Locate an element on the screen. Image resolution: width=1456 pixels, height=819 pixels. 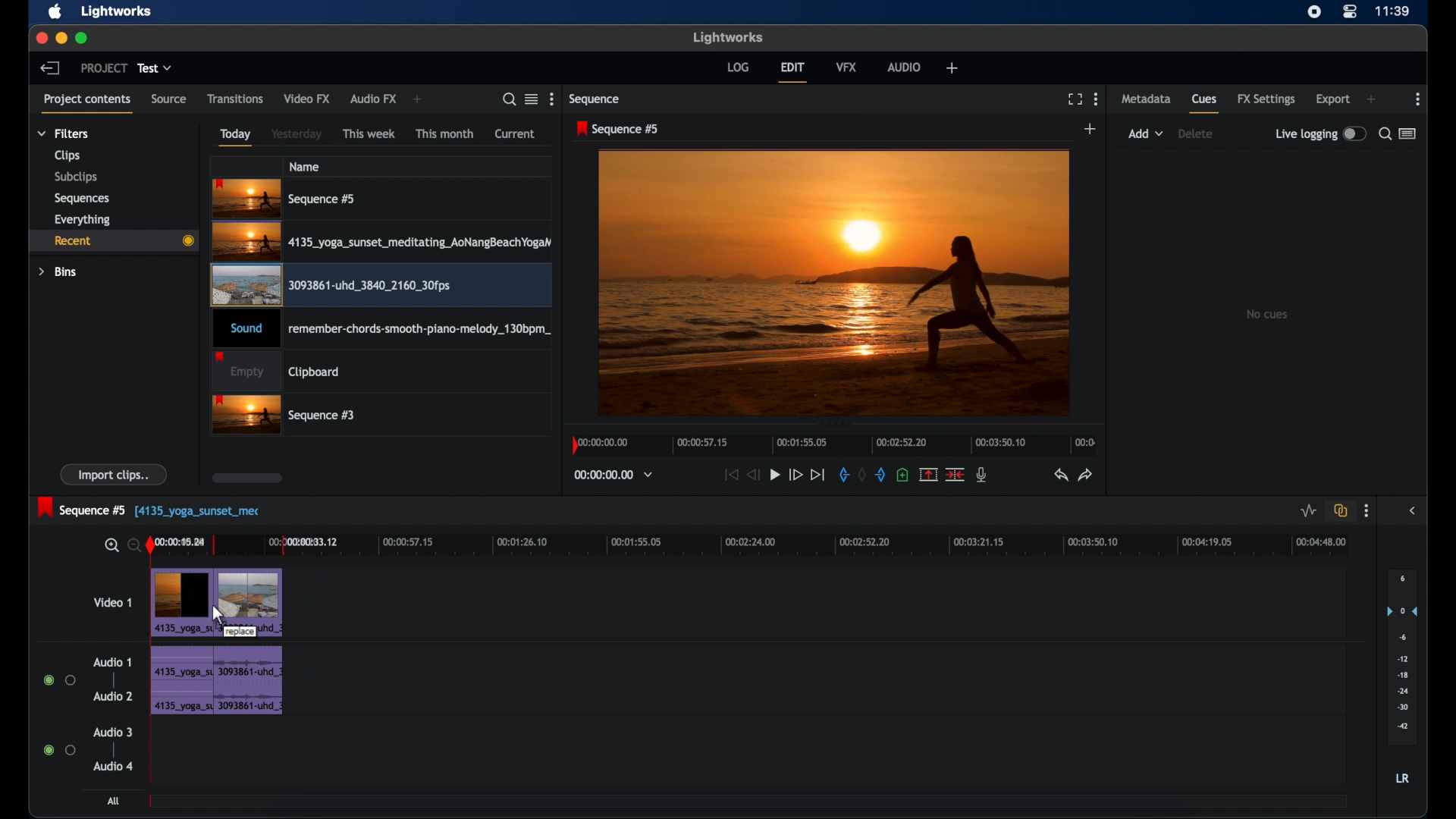
clipboard is located at coordinates (276, 371).